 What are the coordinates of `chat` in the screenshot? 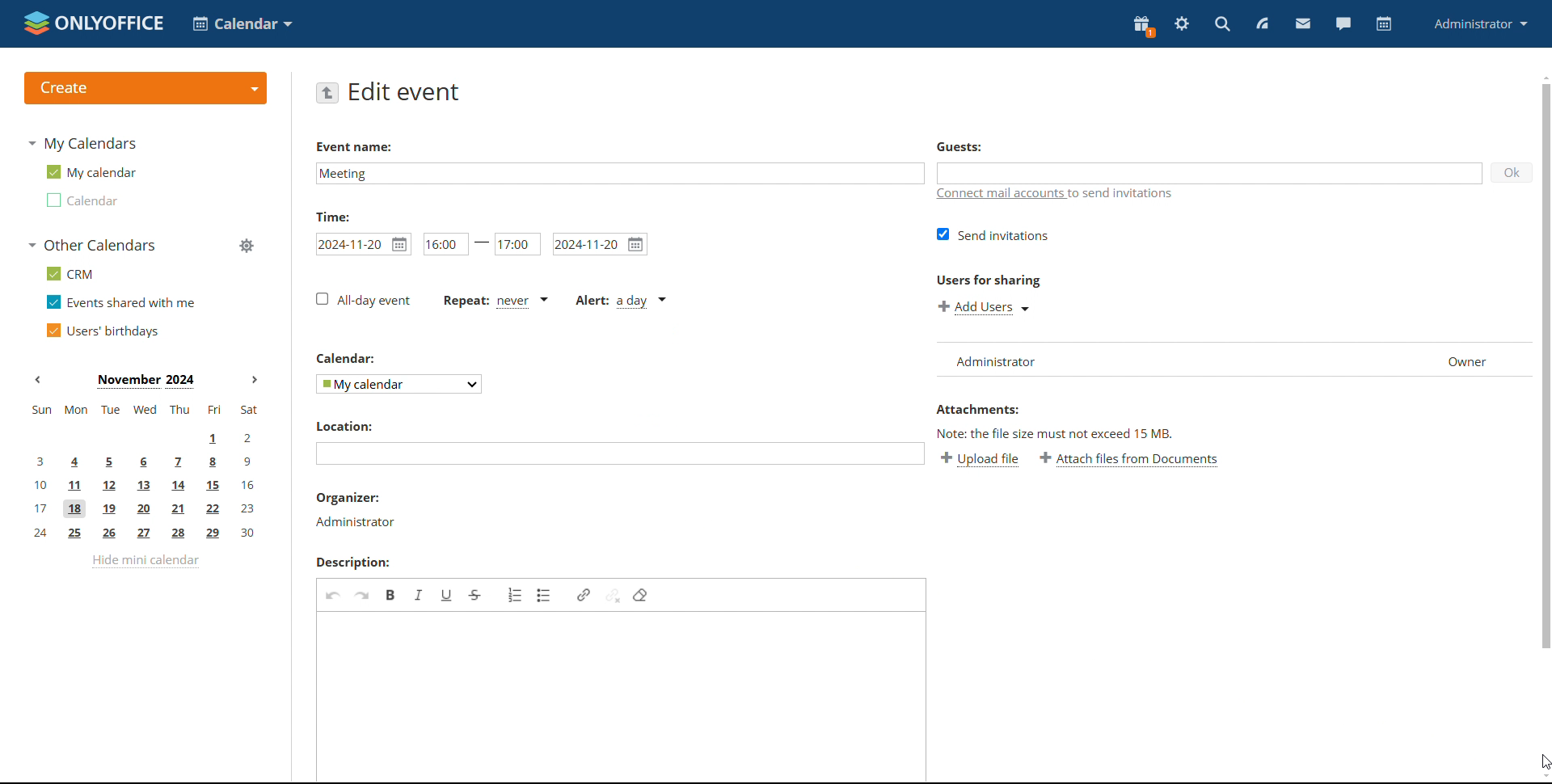 It's located at (1342, 24).